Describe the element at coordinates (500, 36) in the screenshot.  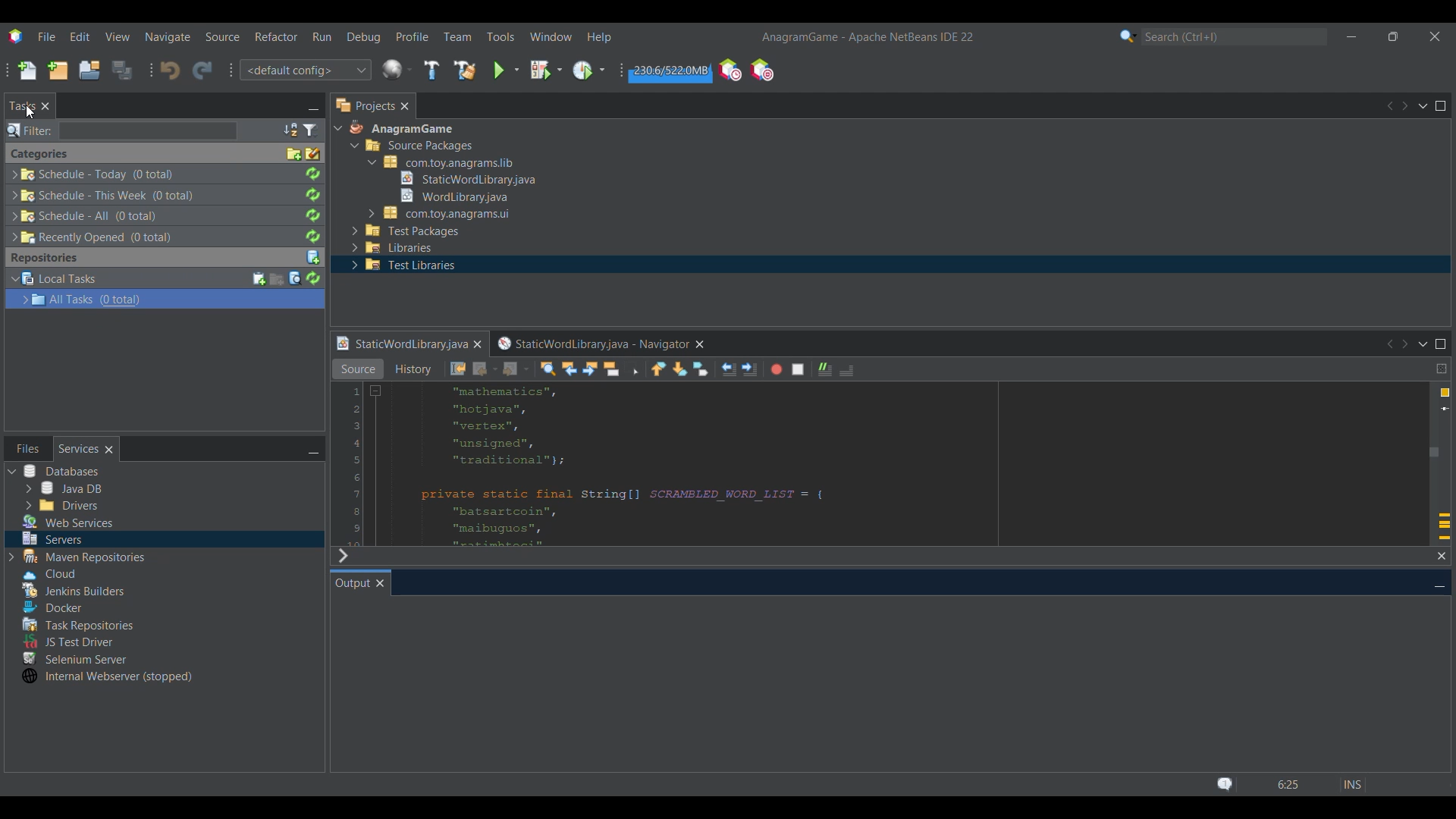
I see `Tools menu` at that location.